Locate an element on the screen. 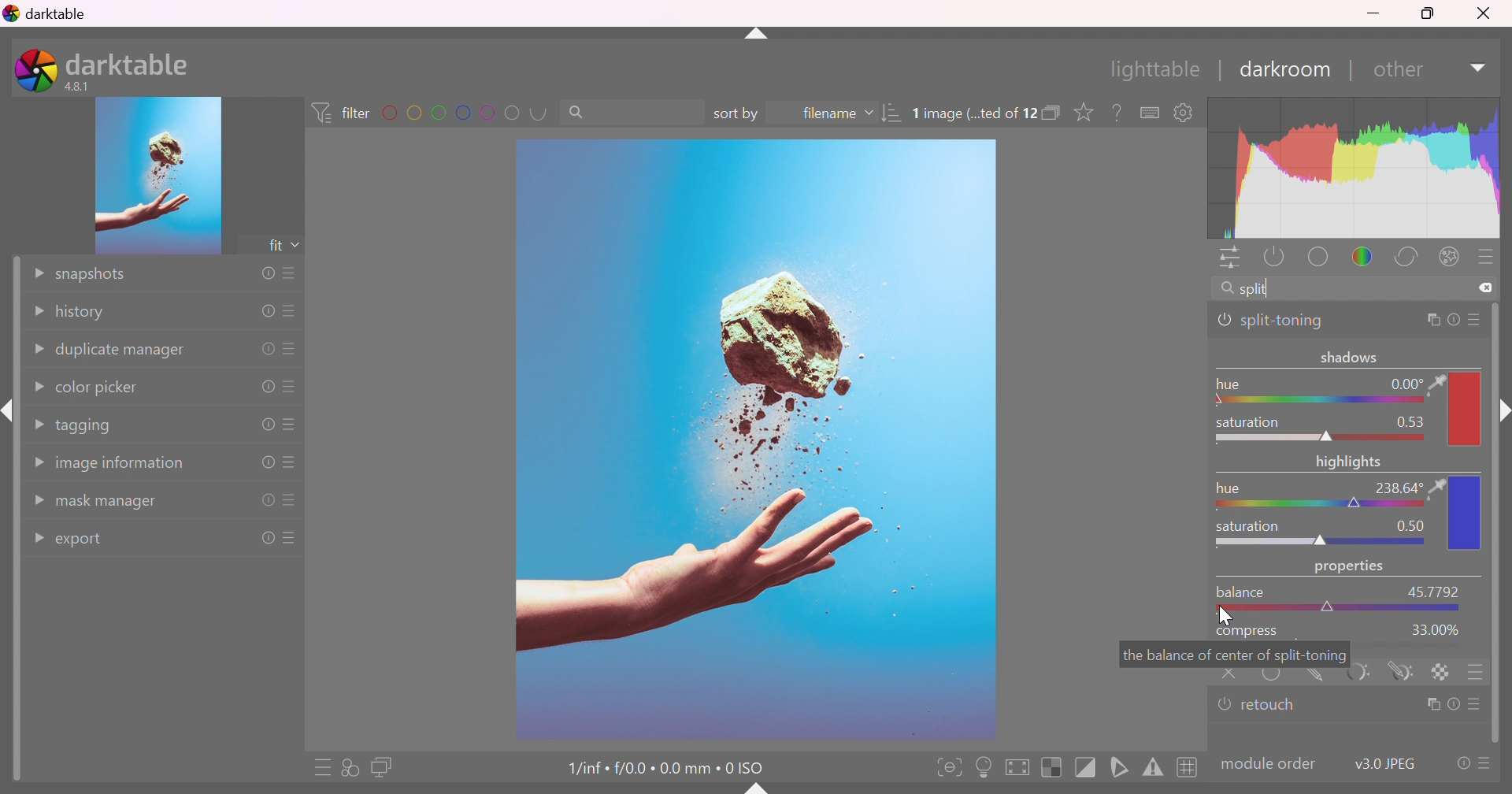 This screenshot has height=794, width=1512. 'split-toning' is switched on is located at coordinates (1223, 321).